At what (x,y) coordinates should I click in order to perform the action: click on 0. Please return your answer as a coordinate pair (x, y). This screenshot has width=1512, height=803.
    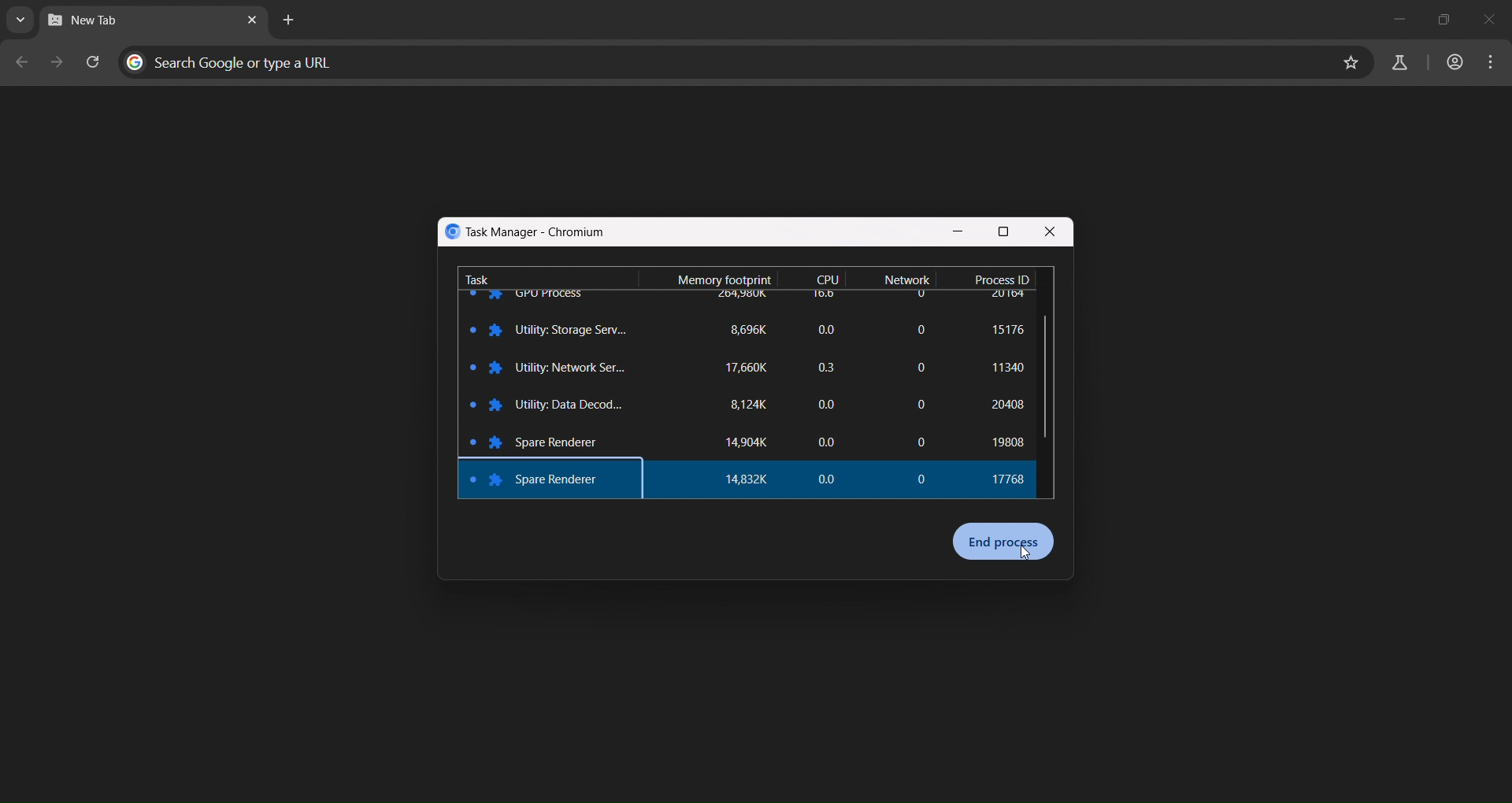
    Looking at the image, I should click on (918, 326).